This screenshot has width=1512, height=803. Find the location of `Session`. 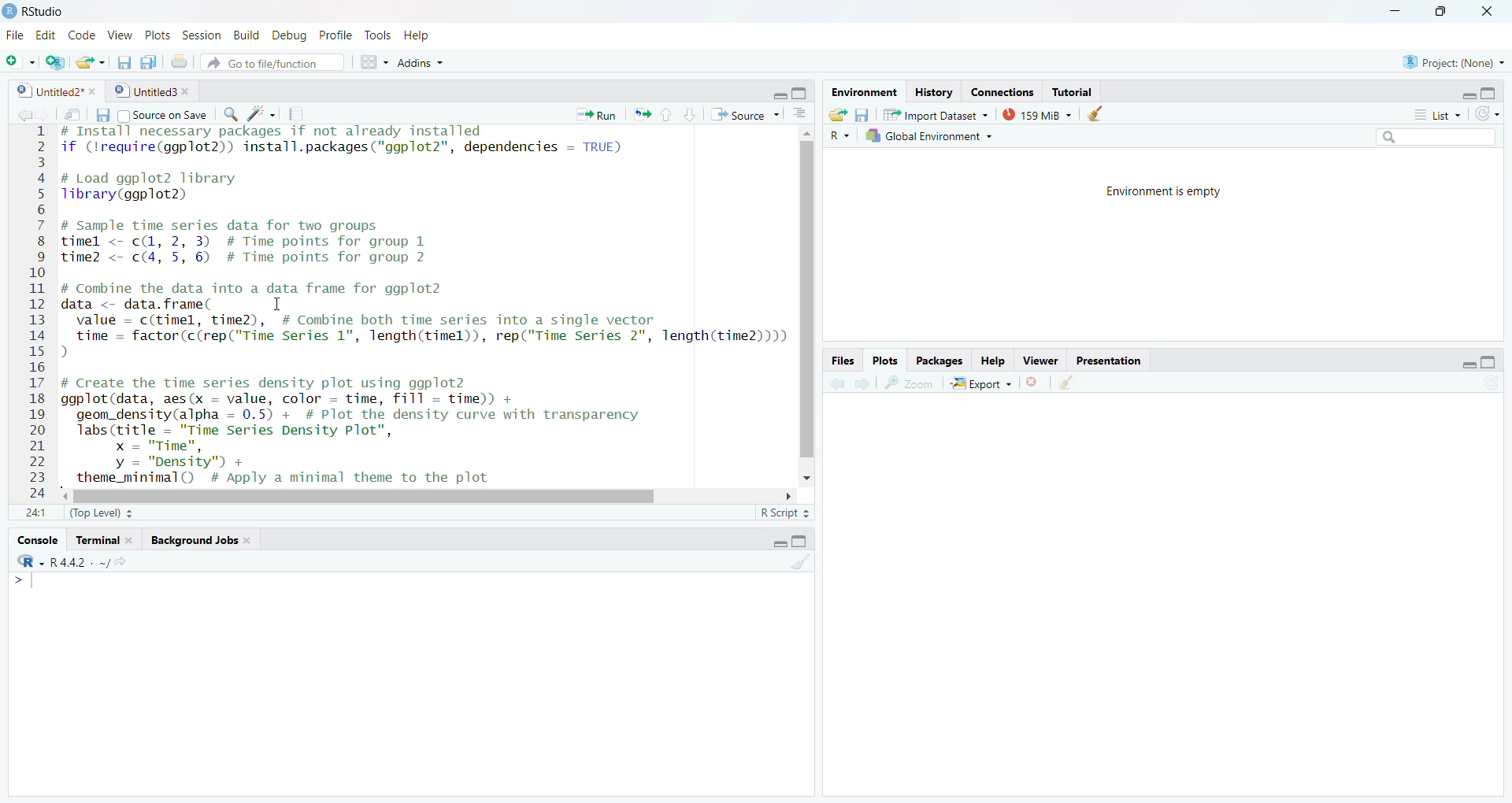

Session is located at coordinates (202, 35).